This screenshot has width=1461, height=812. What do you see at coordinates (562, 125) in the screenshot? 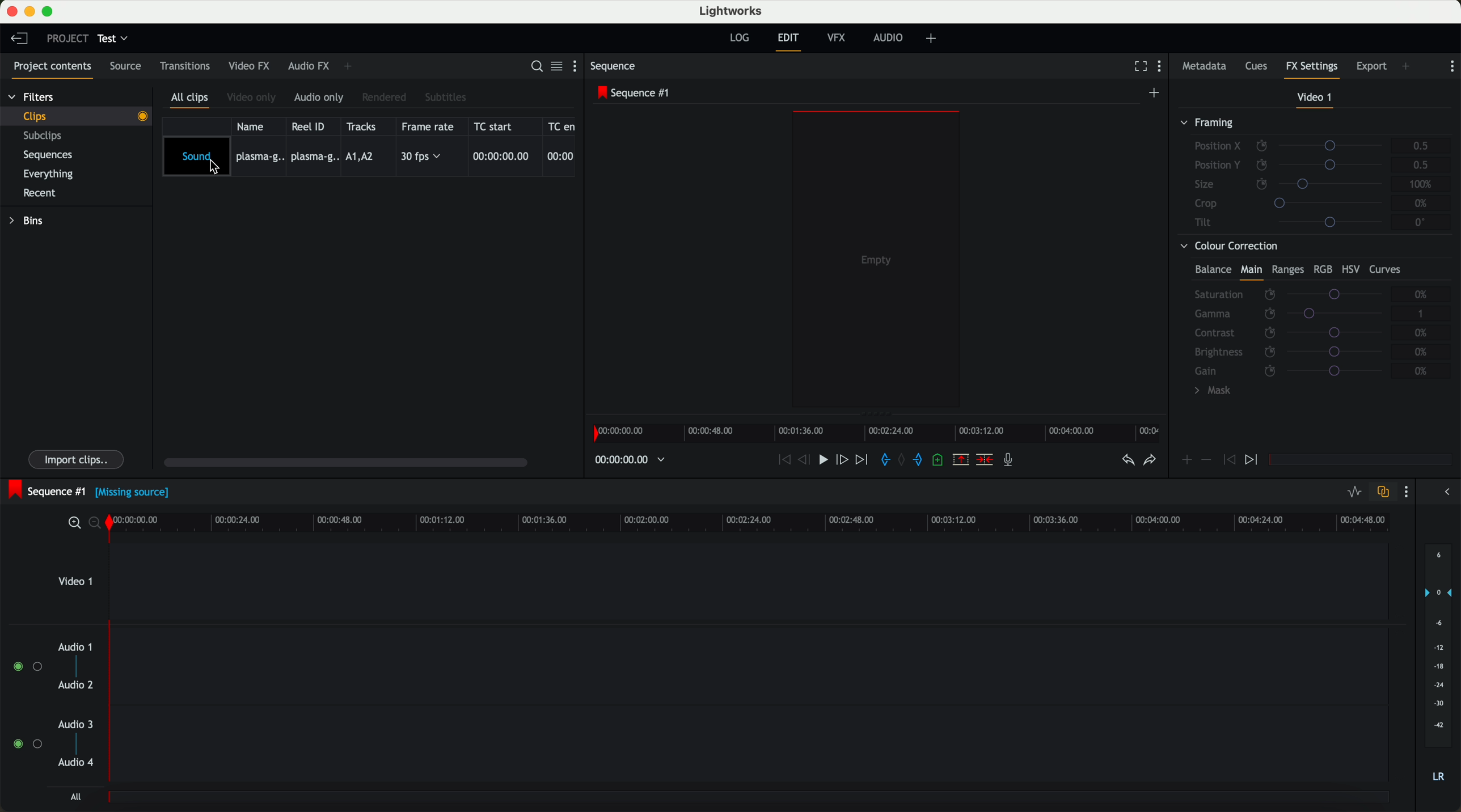
I see `TC en` at bounding box center [562, 125].